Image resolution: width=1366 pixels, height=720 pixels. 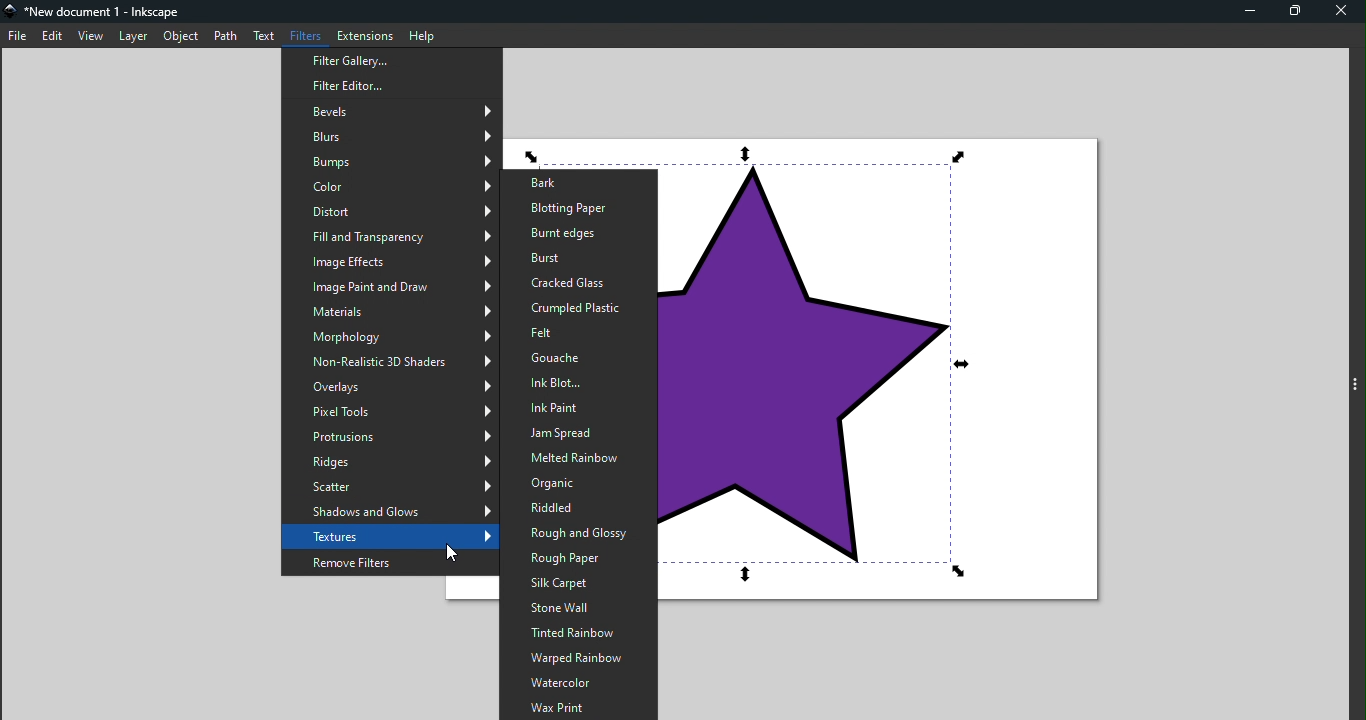 I want to click on Crumpled plastic, so click(x=574, y=308).